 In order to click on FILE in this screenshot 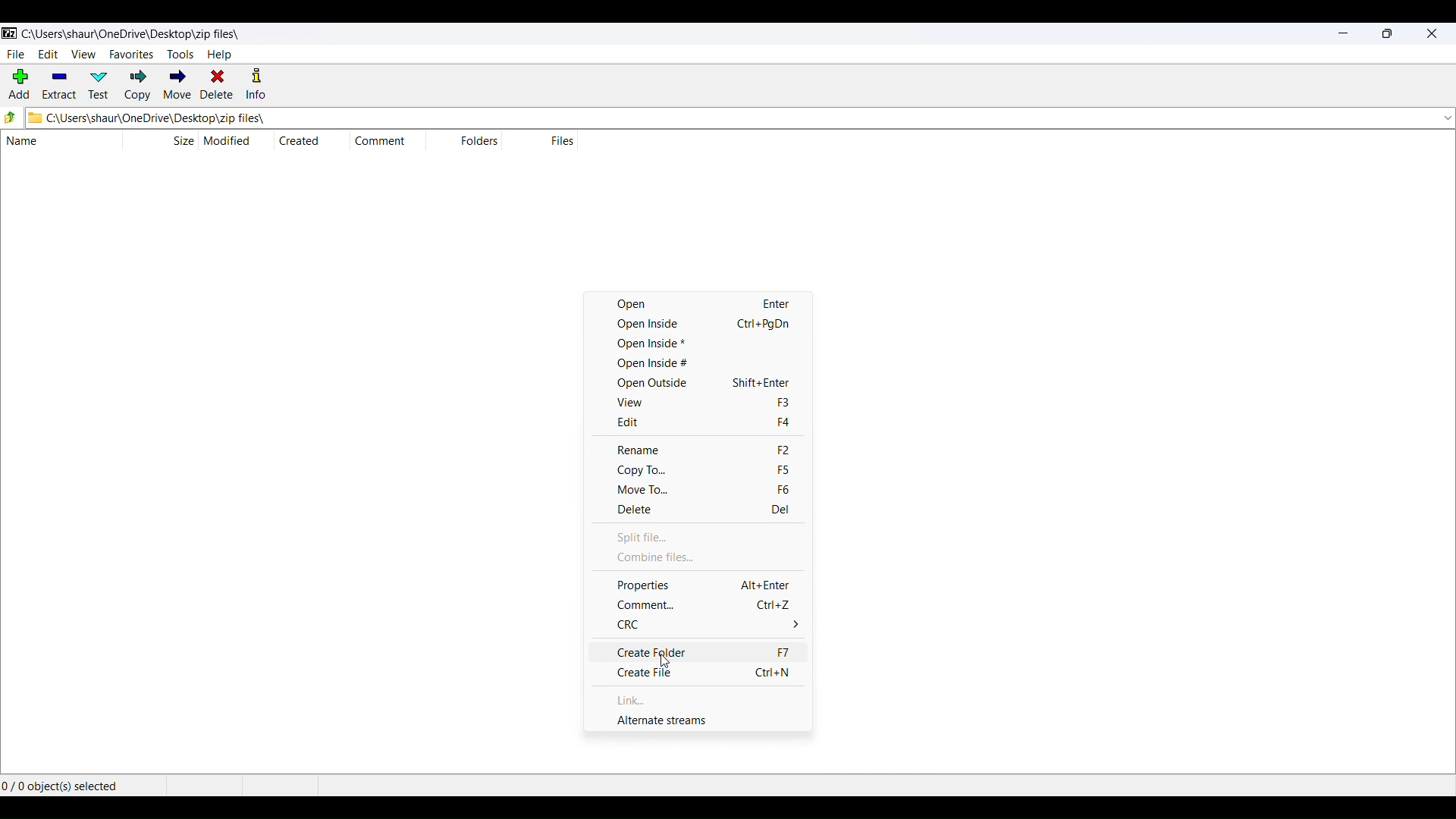, I will do `click(14, 54)`.